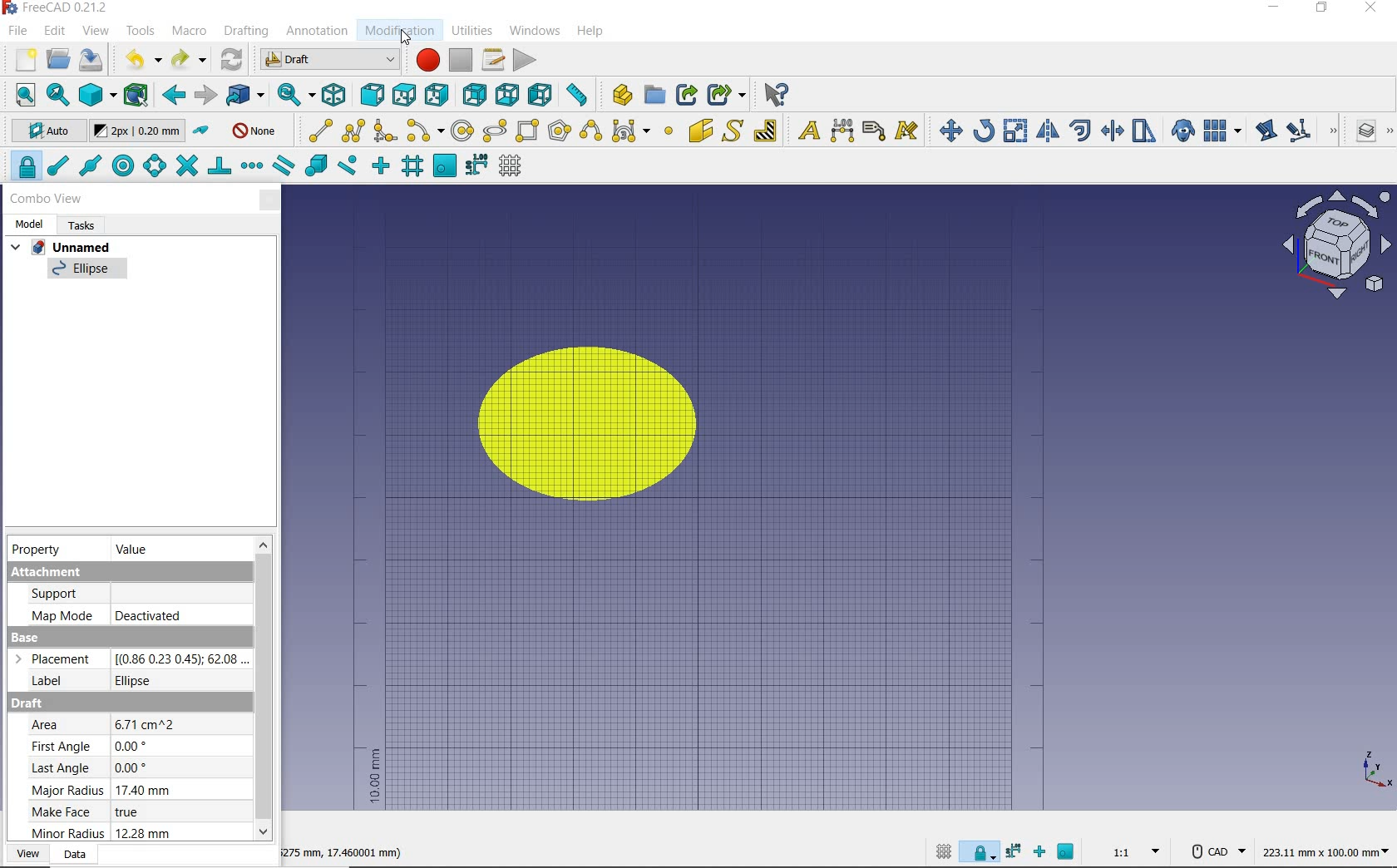 The width and height of the screenshot is (1397, 868). What do you see at coordinates (539, 96) in the screenshot?
I see `left` at bounding box center [539, 96].